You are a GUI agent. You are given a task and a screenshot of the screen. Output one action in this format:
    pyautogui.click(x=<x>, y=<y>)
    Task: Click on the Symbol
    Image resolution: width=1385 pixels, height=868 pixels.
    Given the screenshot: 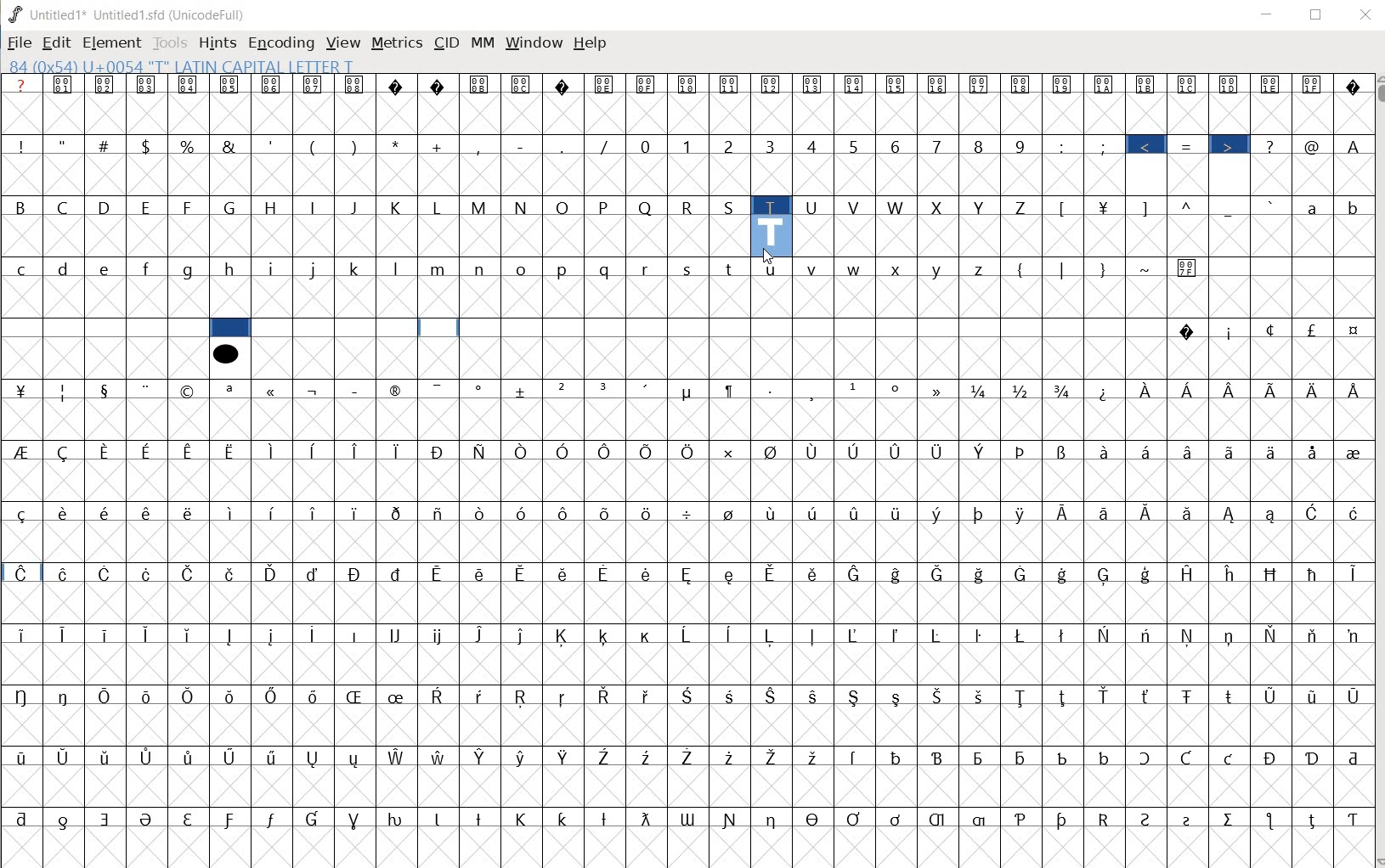 What is the action you would take?
    pyautogui.click(x=1105, y=391)
    